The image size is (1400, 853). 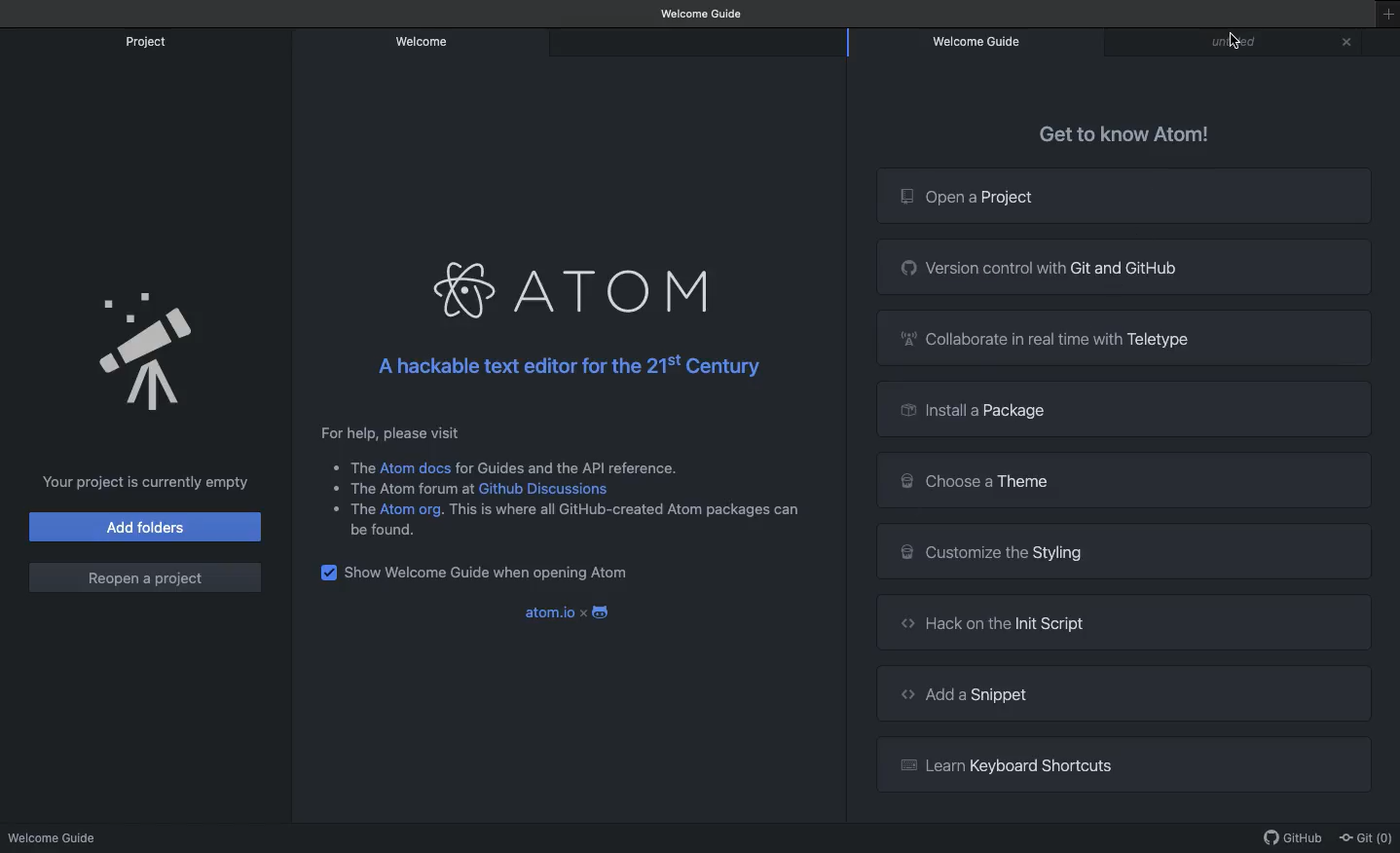 What do you see at coordinates (1146, 480) in the screenshot?
I see `Choose a theme` at bounding box center [1146, 480].